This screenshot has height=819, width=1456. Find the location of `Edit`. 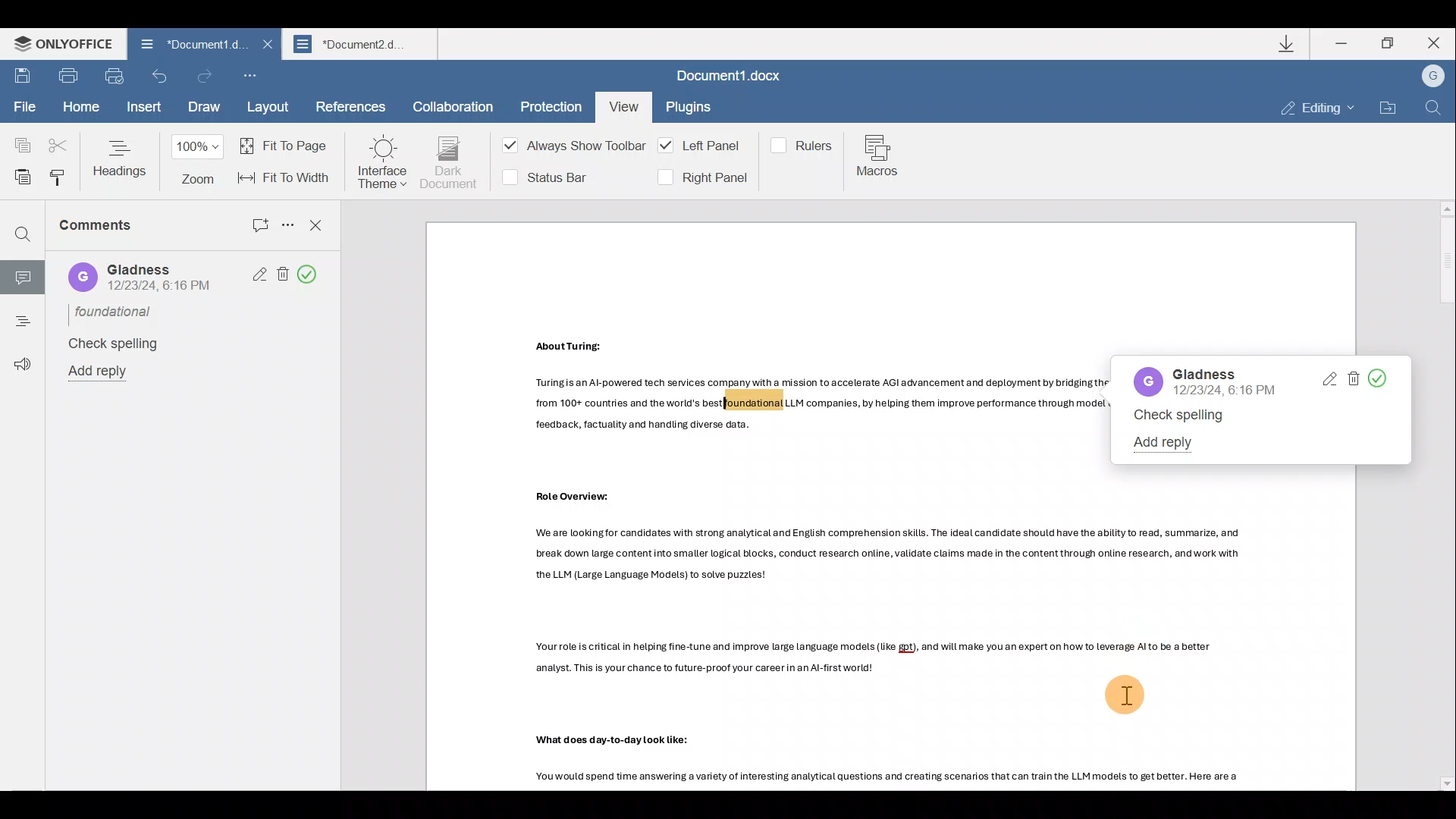

Edit is located at coordinates (255, 275).